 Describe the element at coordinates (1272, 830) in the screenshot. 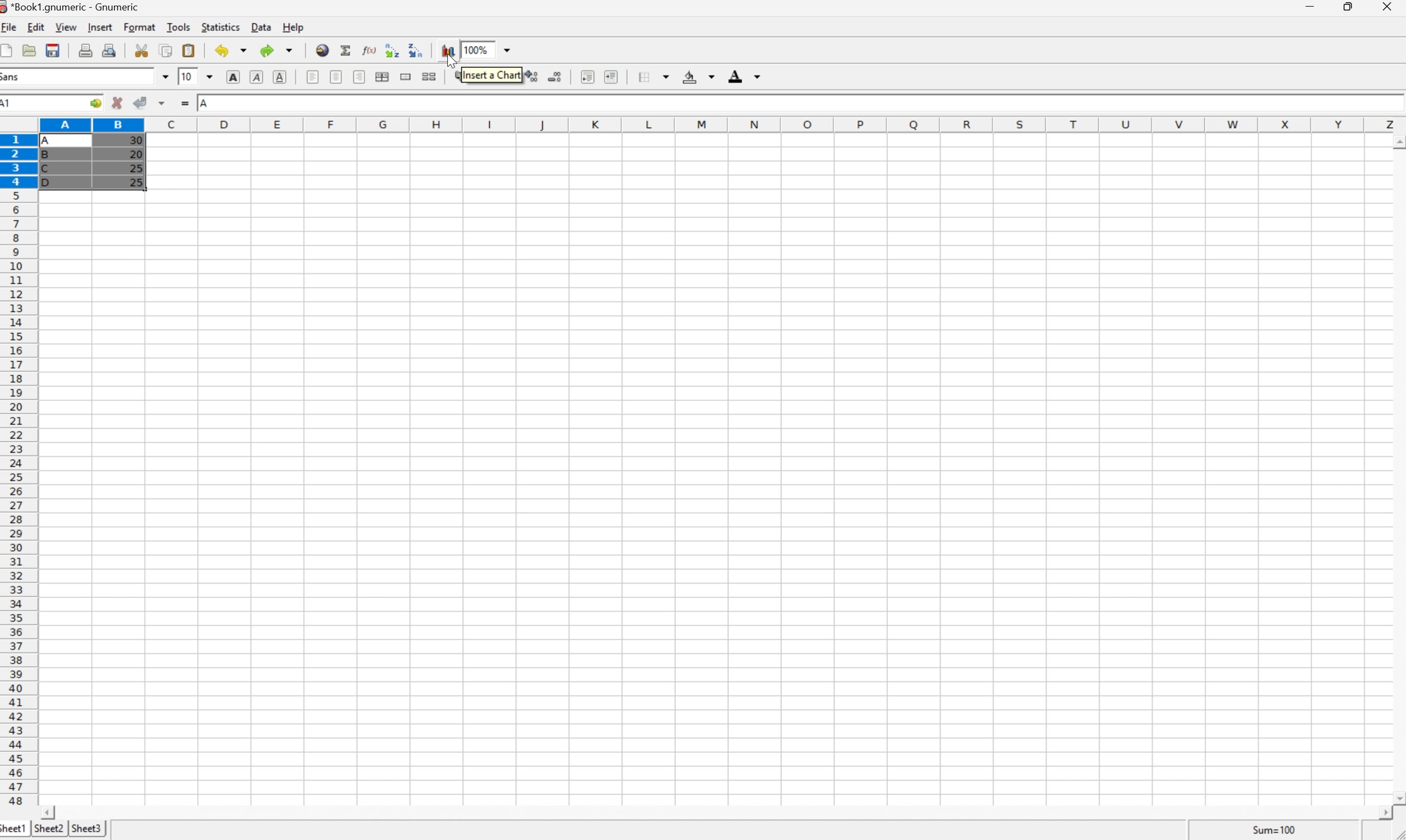

I see `Sum = 0` at that location.